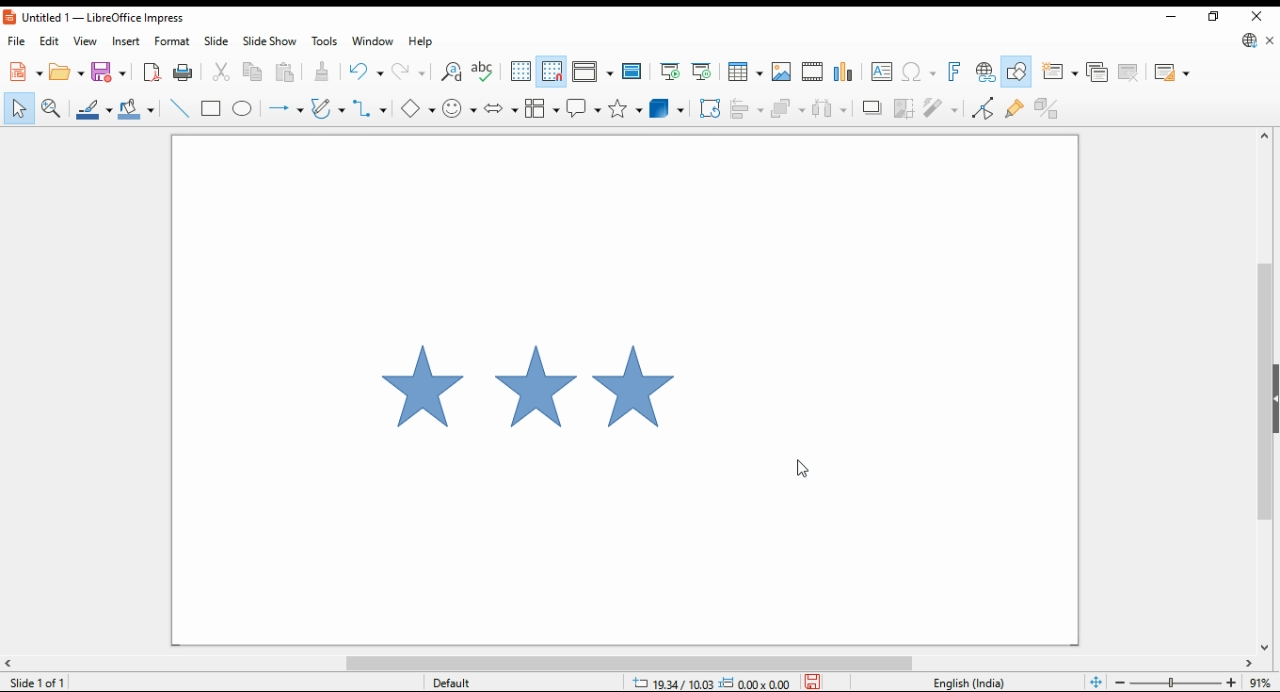  What do you see at coordinates (268, 42) in the screenshot?
I see `slide show` at bounding box center [268, 42].